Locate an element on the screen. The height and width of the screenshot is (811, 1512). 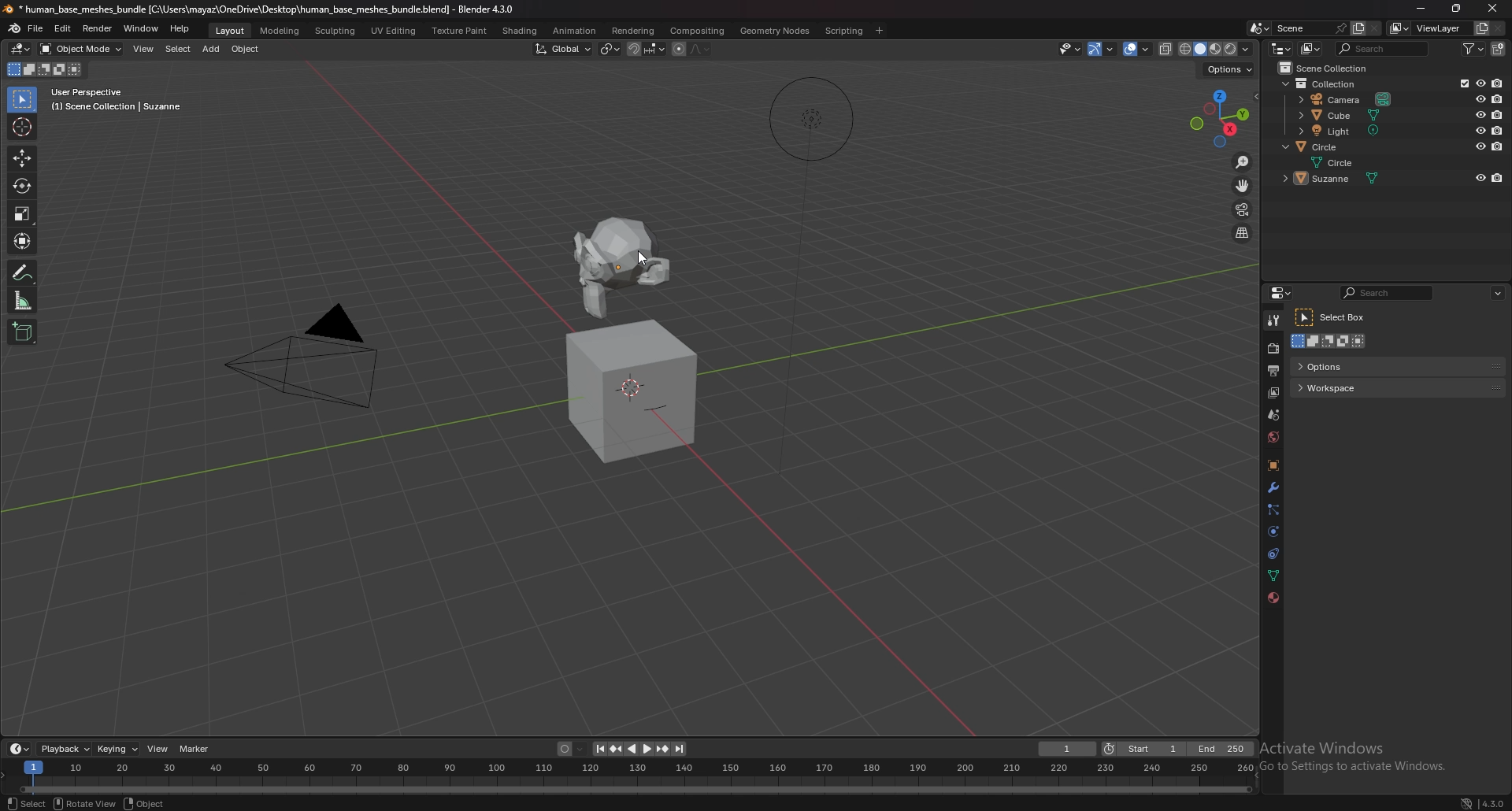
scene is located at coordinates (1273, 415).